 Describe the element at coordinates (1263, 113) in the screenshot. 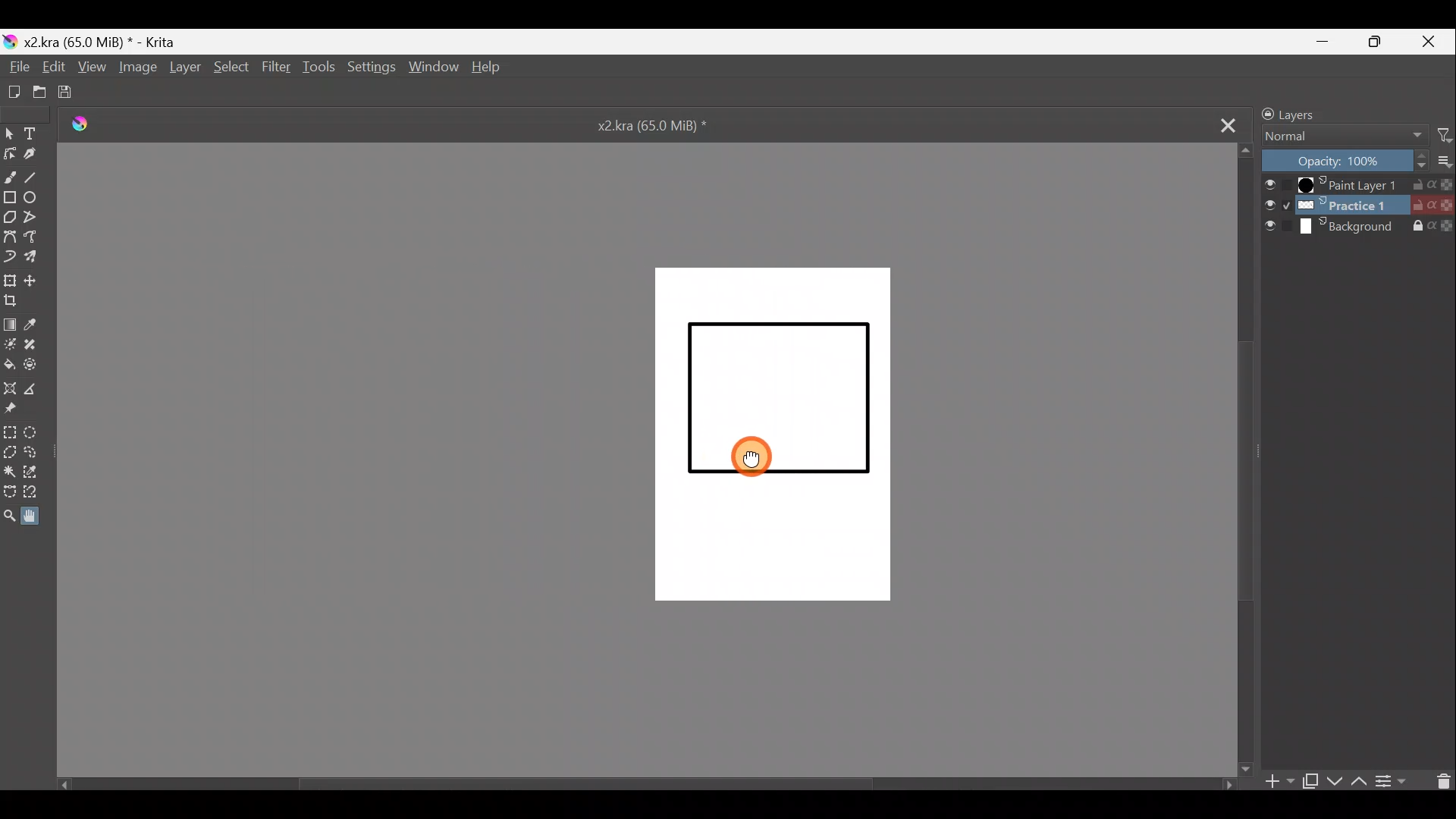

I see `Lock/unlock docker` at that location.